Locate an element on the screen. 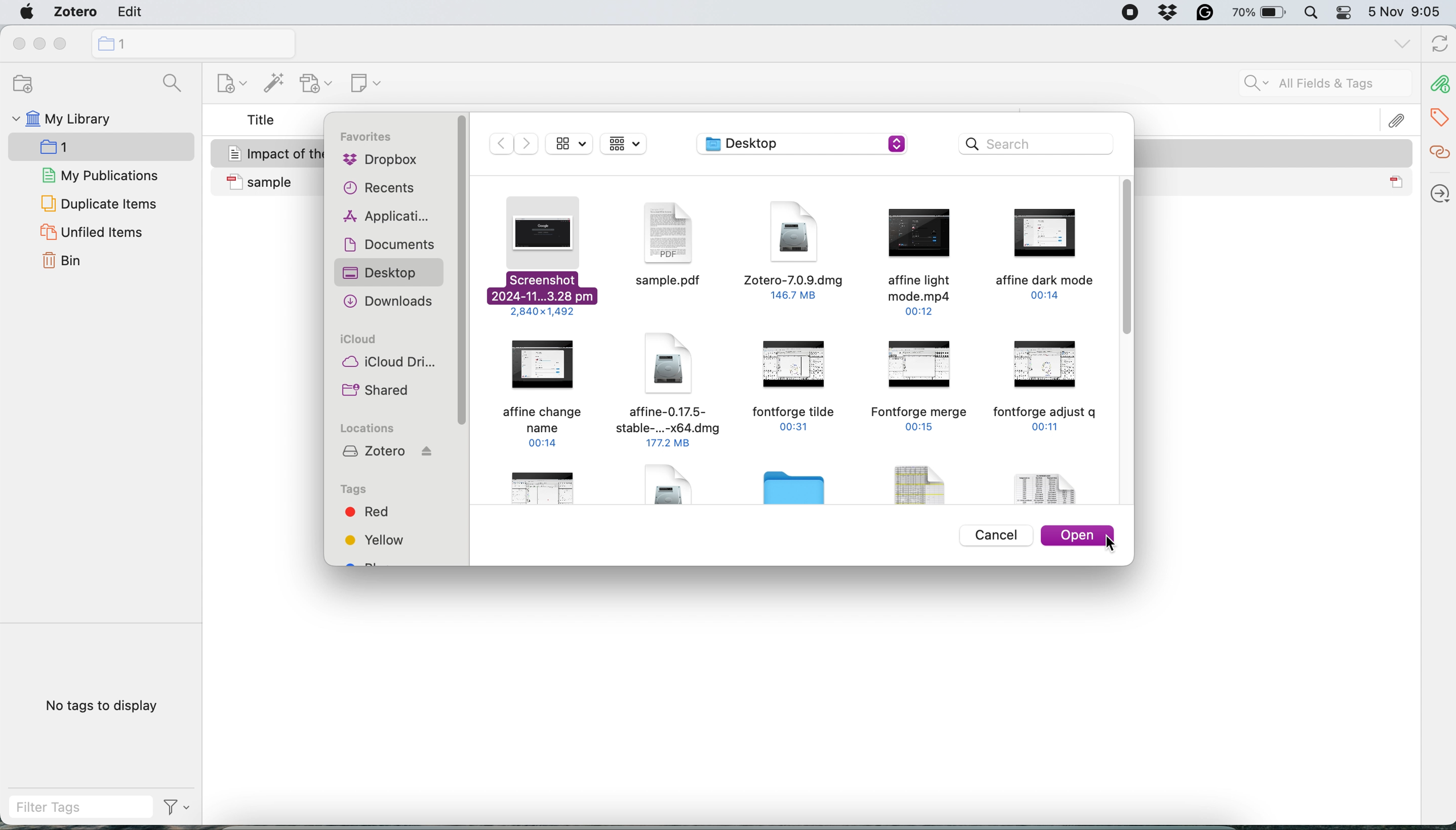 This screenshot has height=830, width=1456. close is located at coordinates (18, 44).